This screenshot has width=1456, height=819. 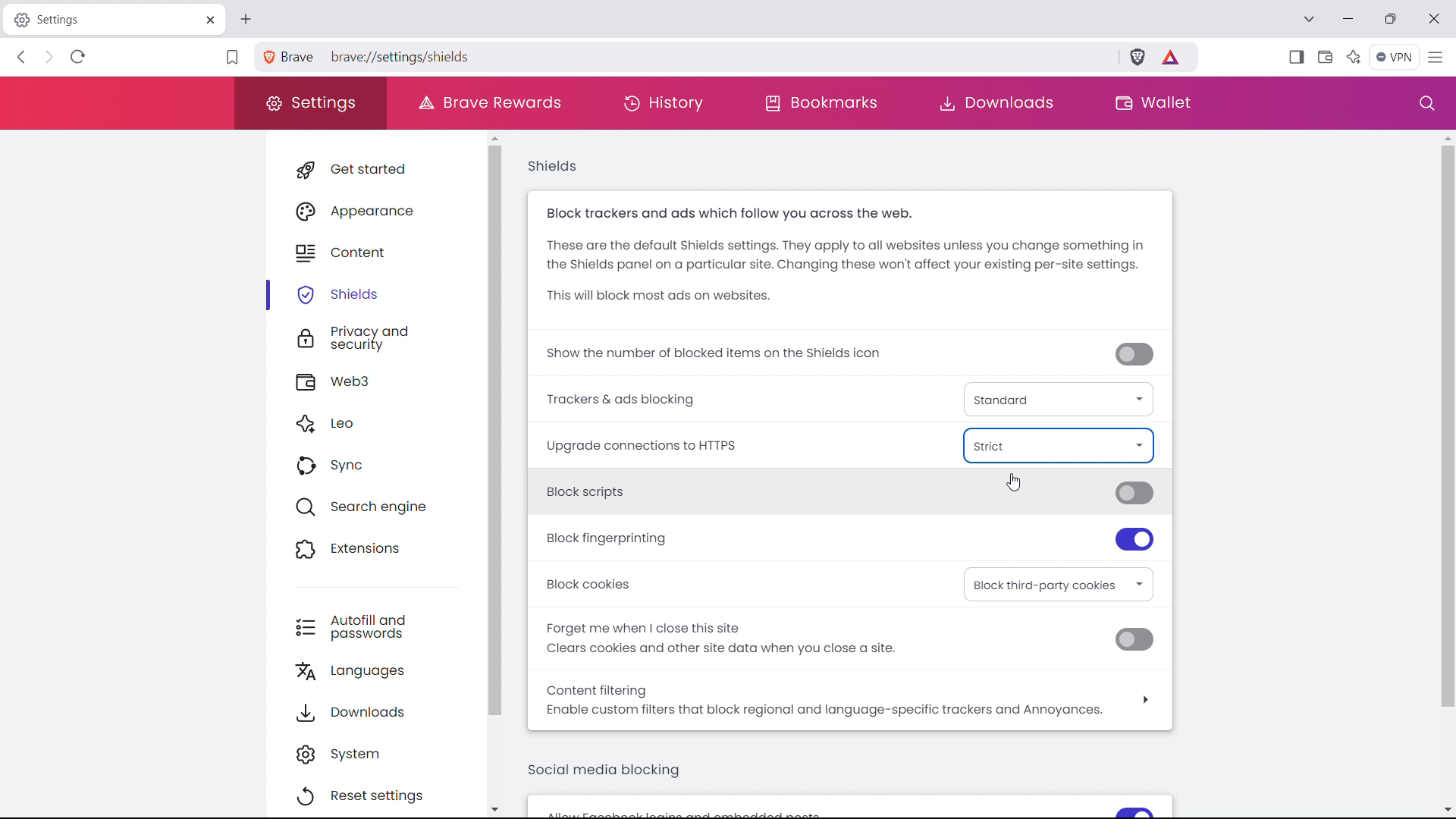 I want to click on Block cookies, so click(x=591, y=584).